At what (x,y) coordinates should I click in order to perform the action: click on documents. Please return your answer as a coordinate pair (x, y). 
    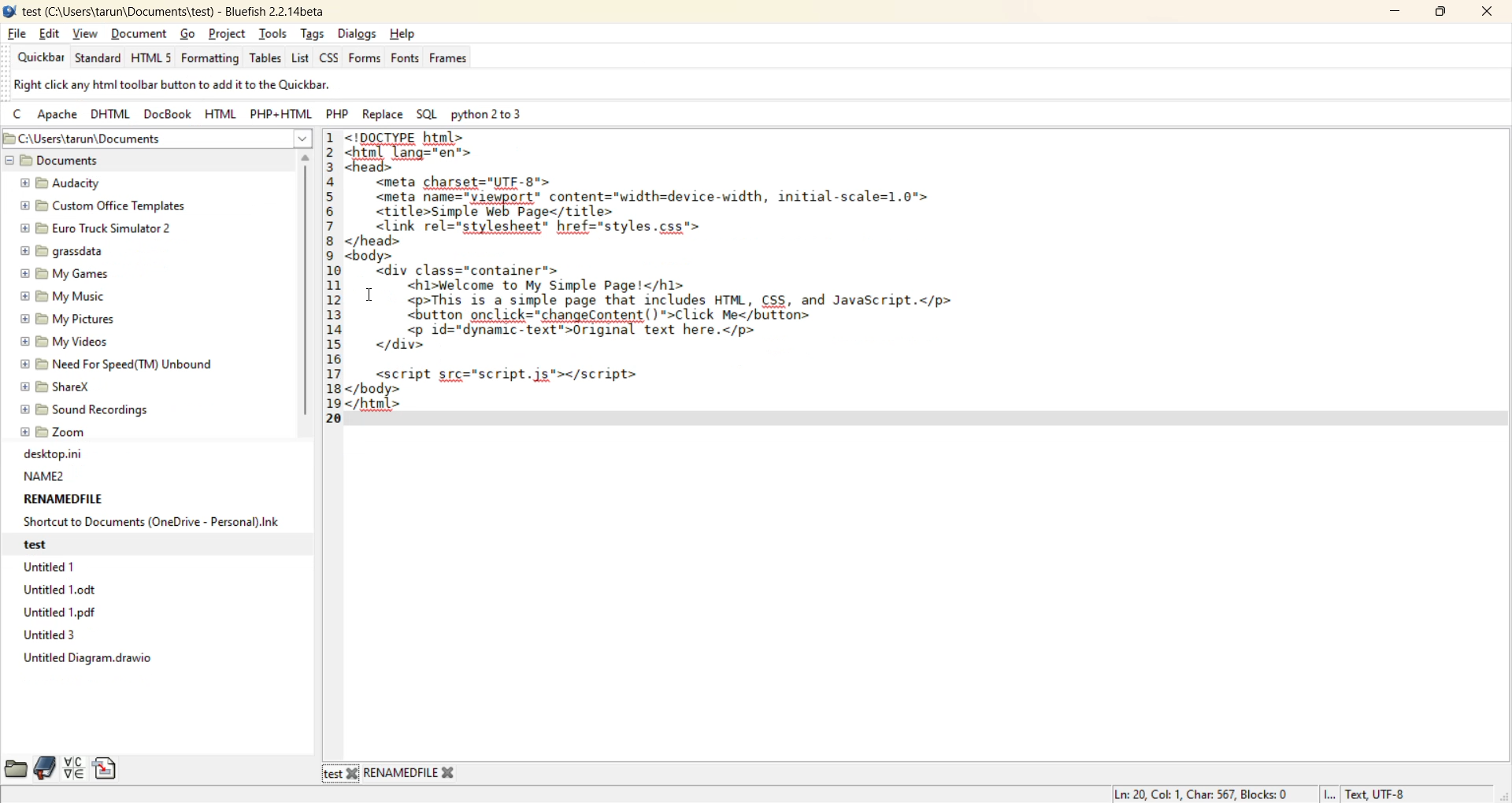
    Looking at the image, I should click on (77, 161).